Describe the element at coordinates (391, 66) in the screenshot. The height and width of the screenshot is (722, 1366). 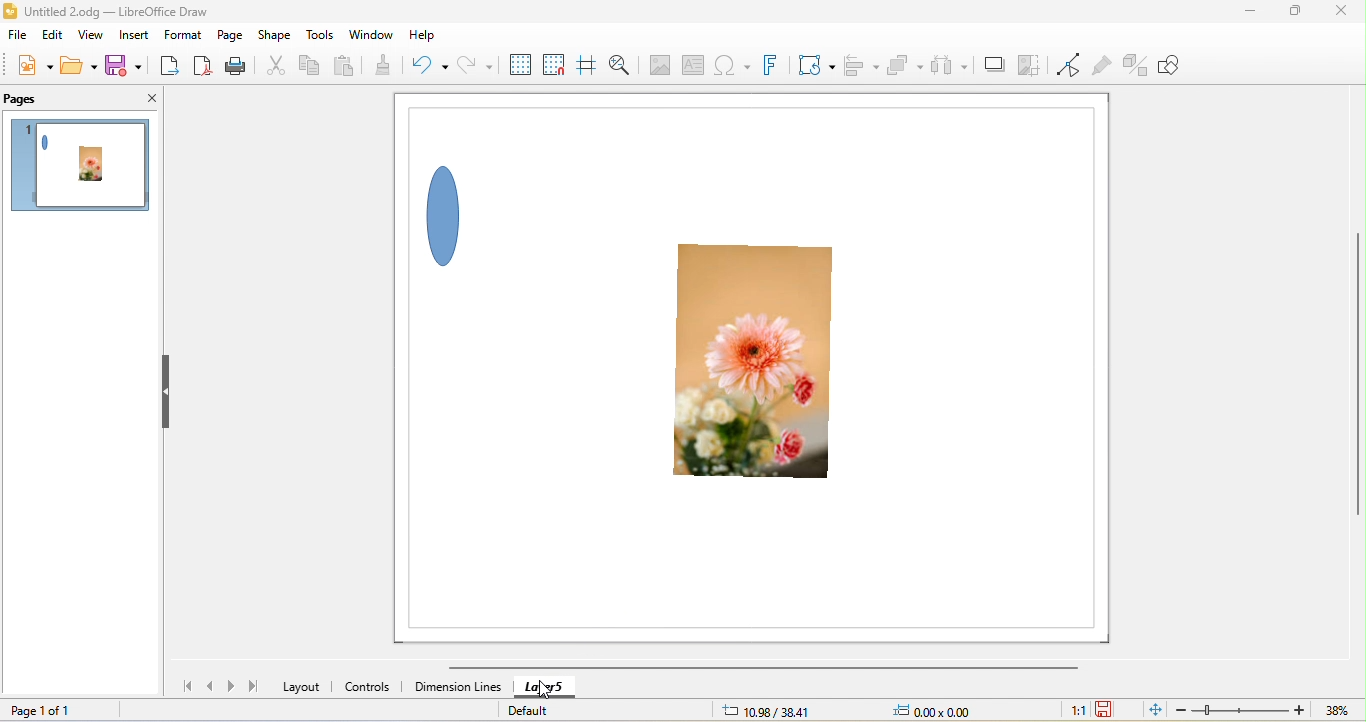
I see `clone formatting` at that location.